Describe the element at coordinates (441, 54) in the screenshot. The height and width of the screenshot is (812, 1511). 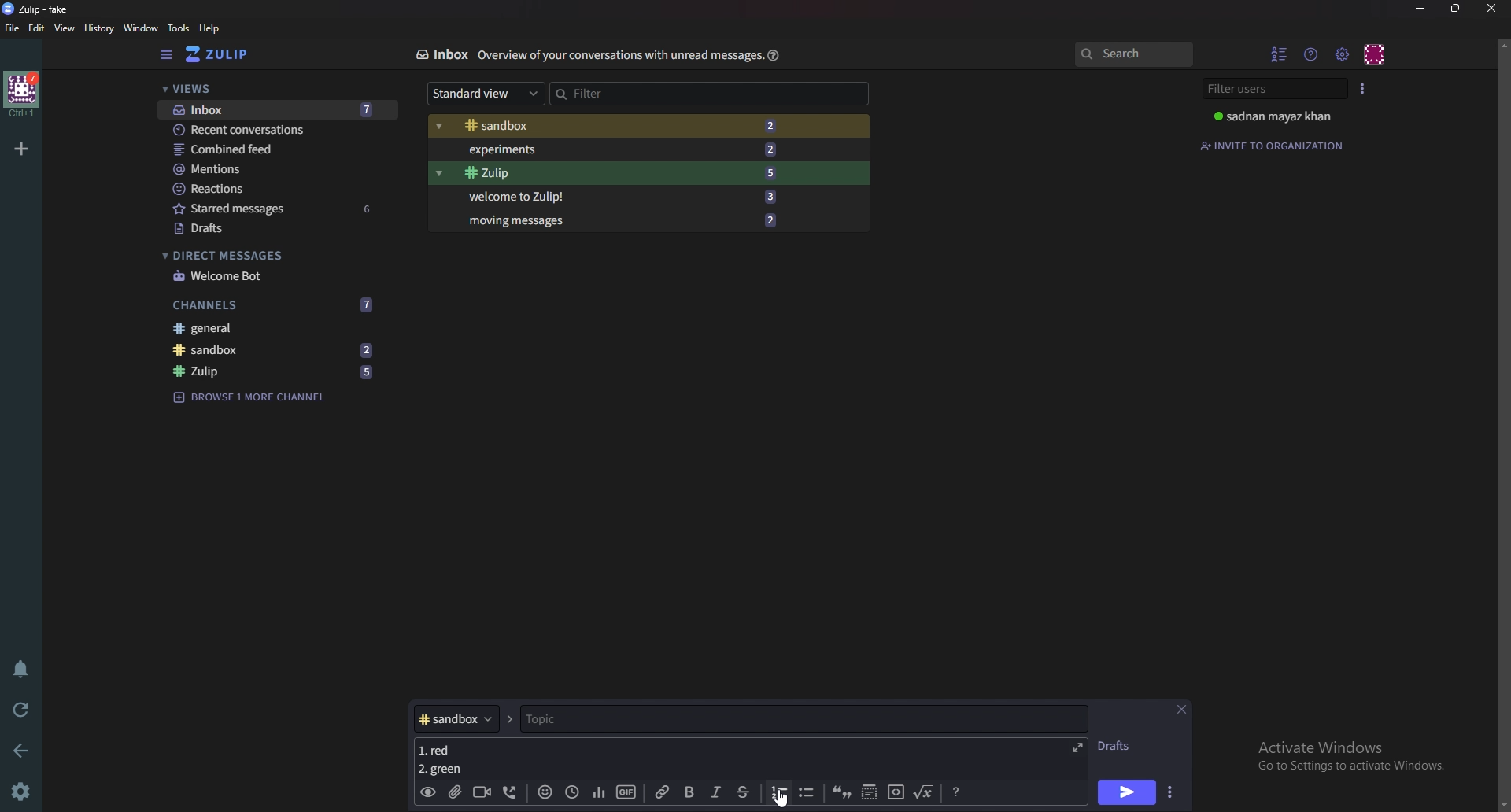
I see `Inbox` at that location.